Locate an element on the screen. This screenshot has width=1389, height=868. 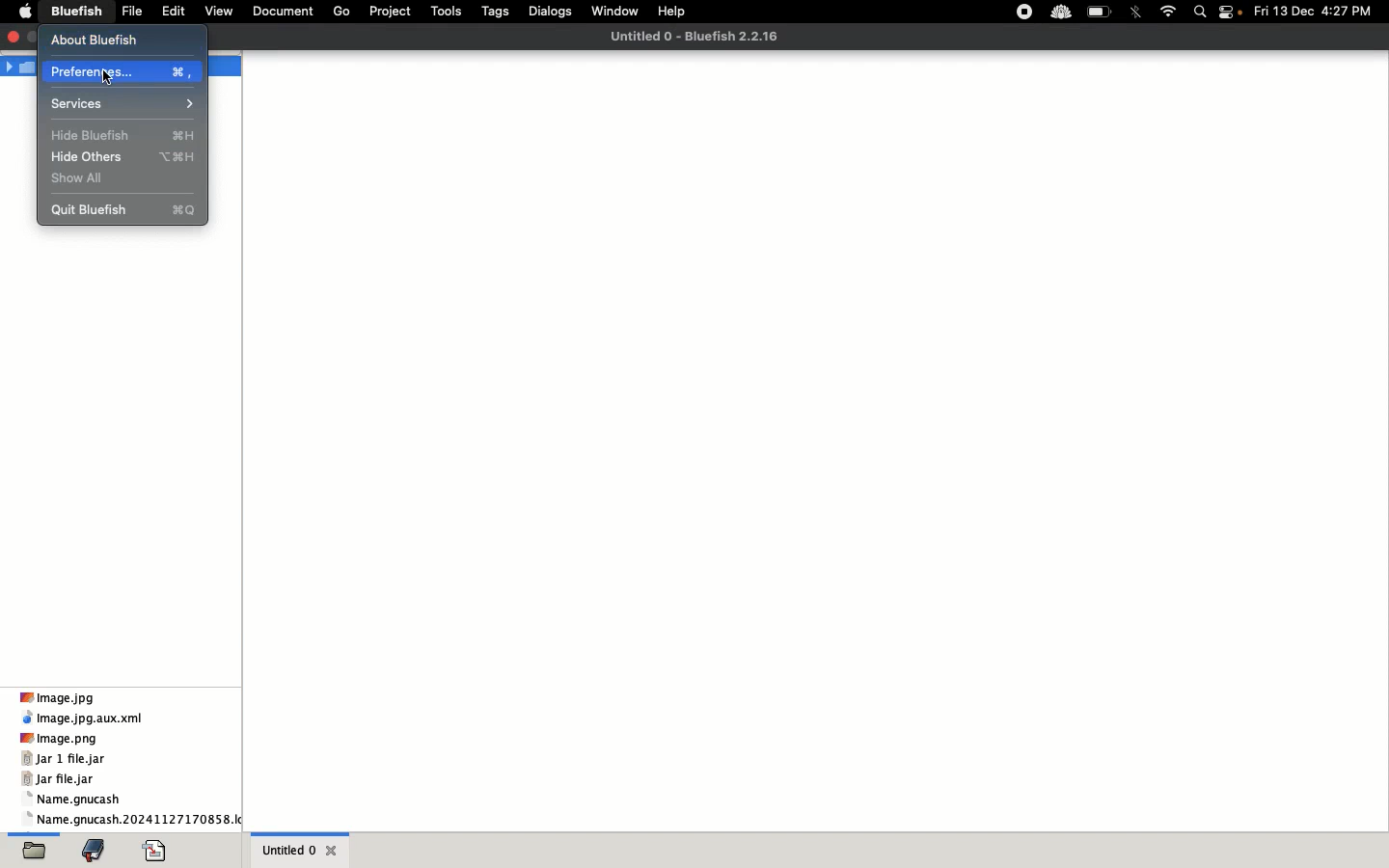
Services is located at coordinates (124, 102).